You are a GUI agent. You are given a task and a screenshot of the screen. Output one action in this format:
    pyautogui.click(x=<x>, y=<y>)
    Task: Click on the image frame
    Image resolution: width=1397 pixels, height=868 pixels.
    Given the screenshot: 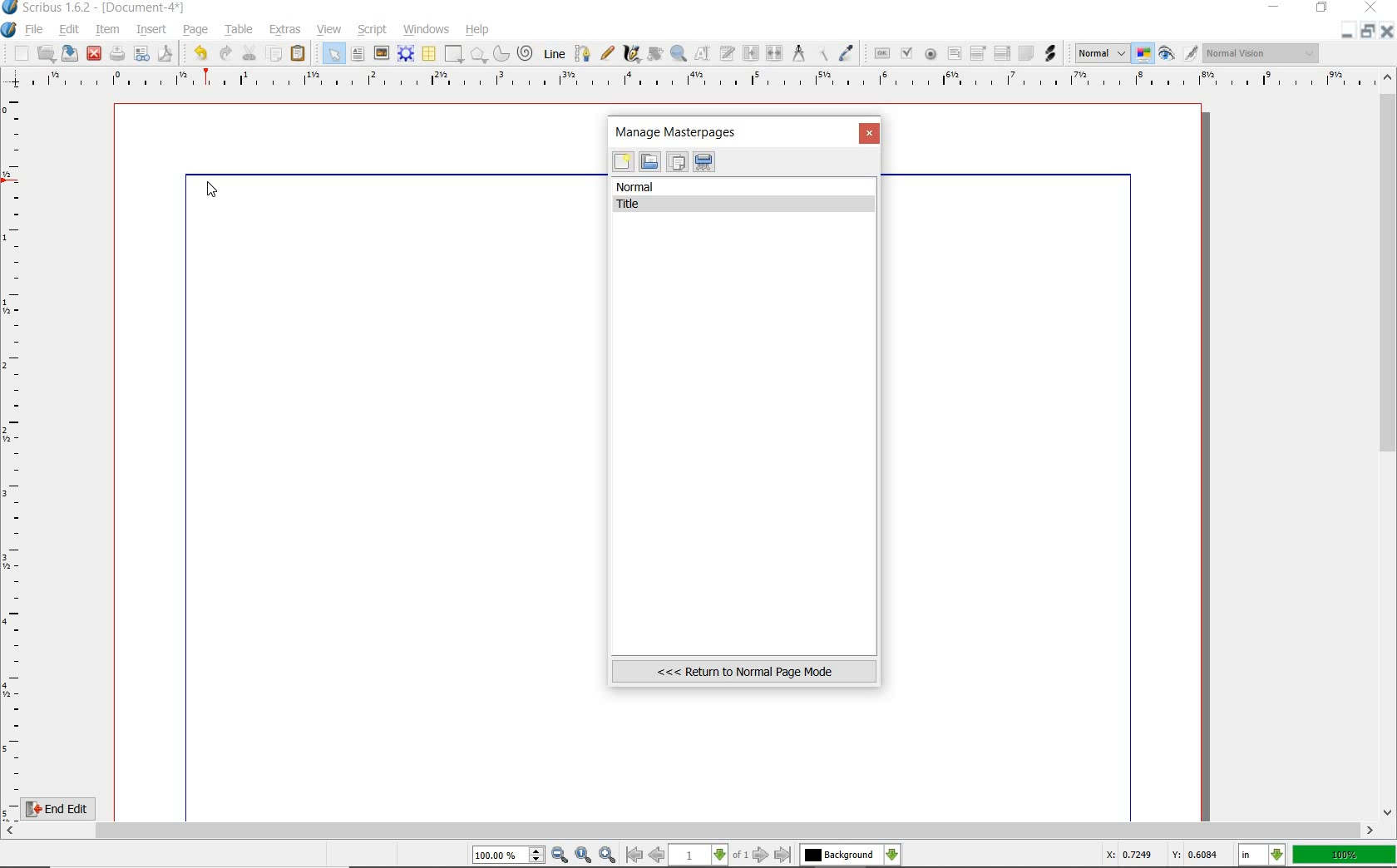 What is the action you would take?
    pyautogui.click(x=382, y=53)
    